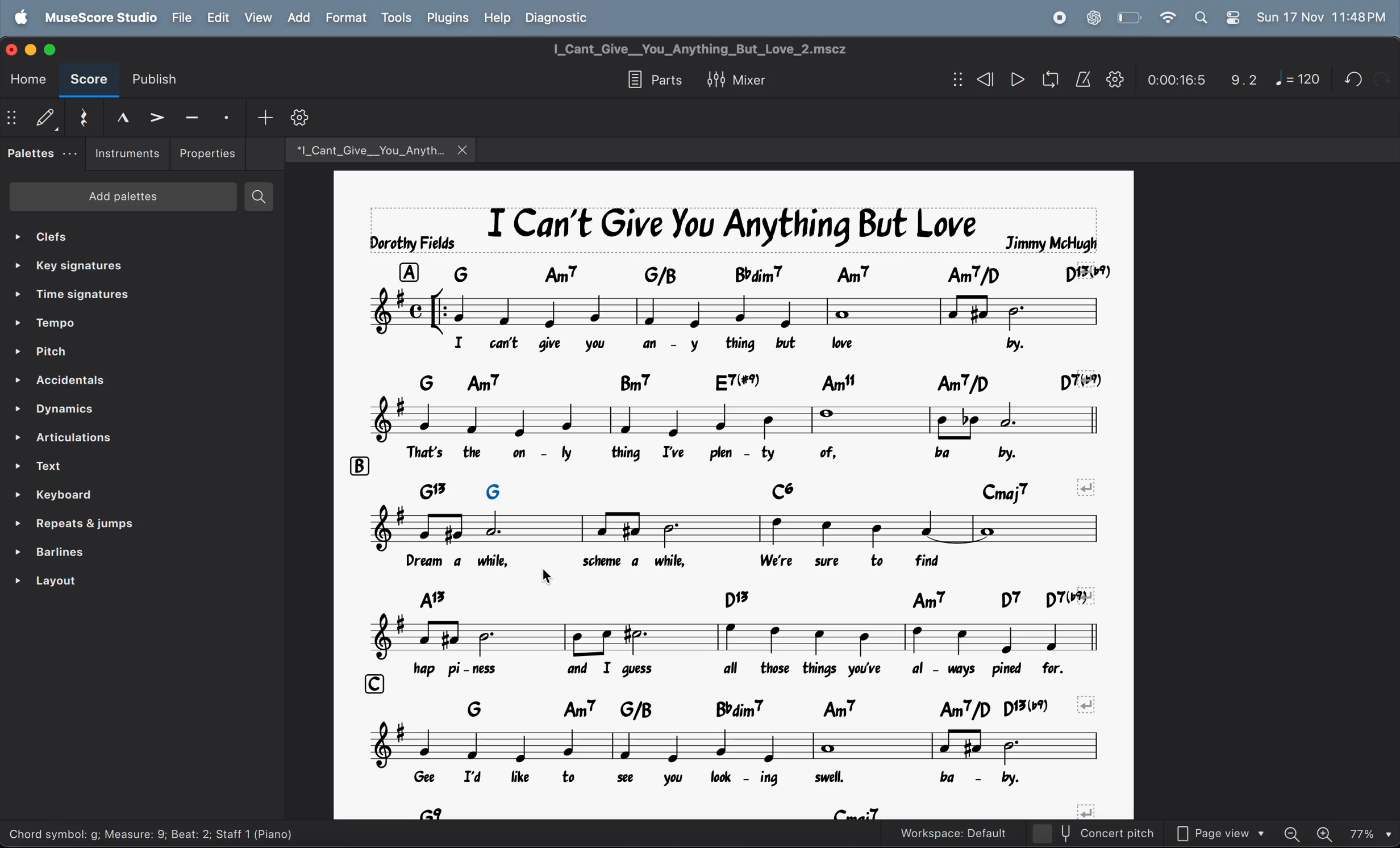  I want to click on apple widgets, so click(1218, 17).